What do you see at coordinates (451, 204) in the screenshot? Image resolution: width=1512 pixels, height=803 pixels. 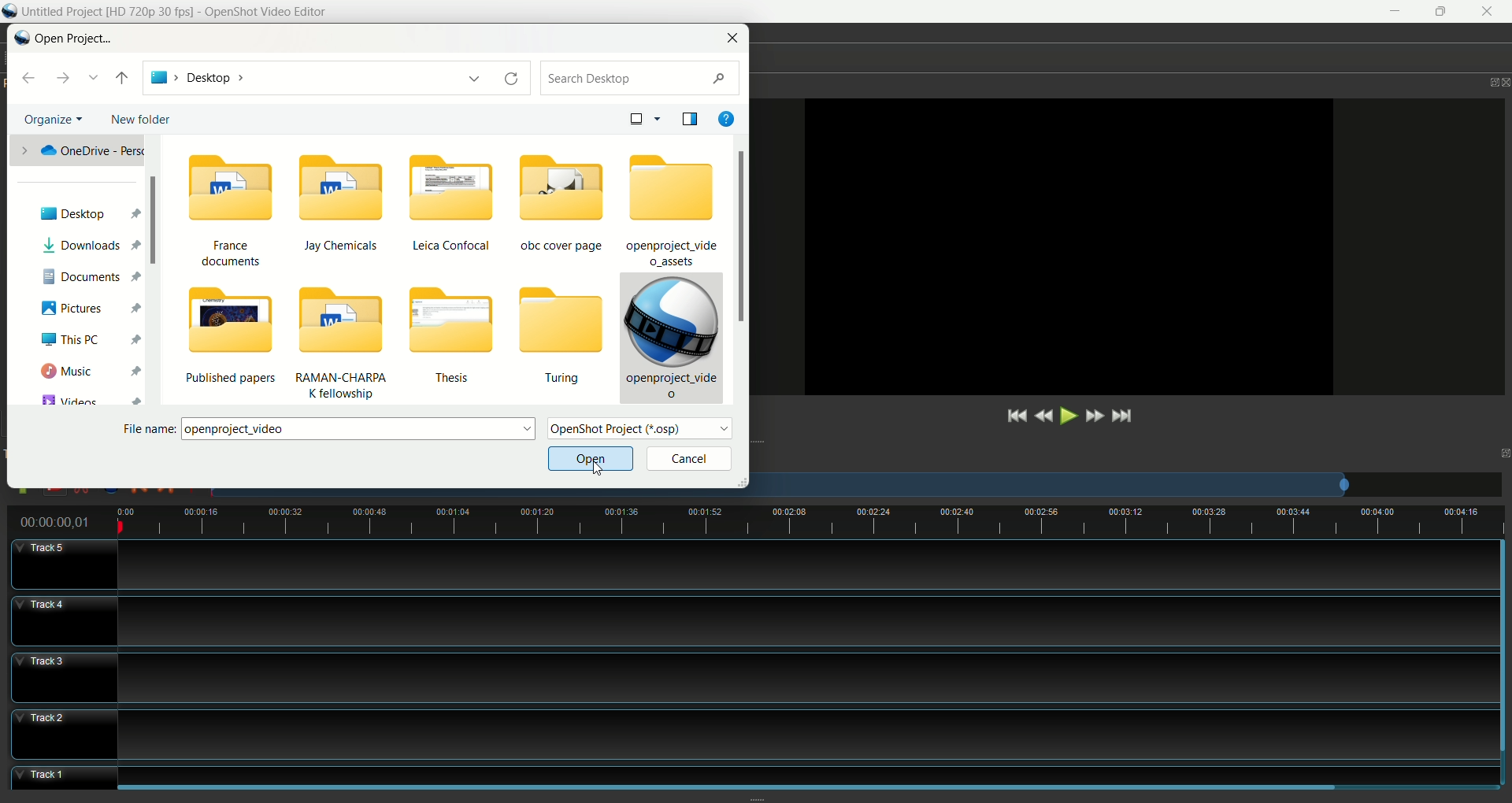 I see `Leica Confocal` at bounding box center [451, 204].